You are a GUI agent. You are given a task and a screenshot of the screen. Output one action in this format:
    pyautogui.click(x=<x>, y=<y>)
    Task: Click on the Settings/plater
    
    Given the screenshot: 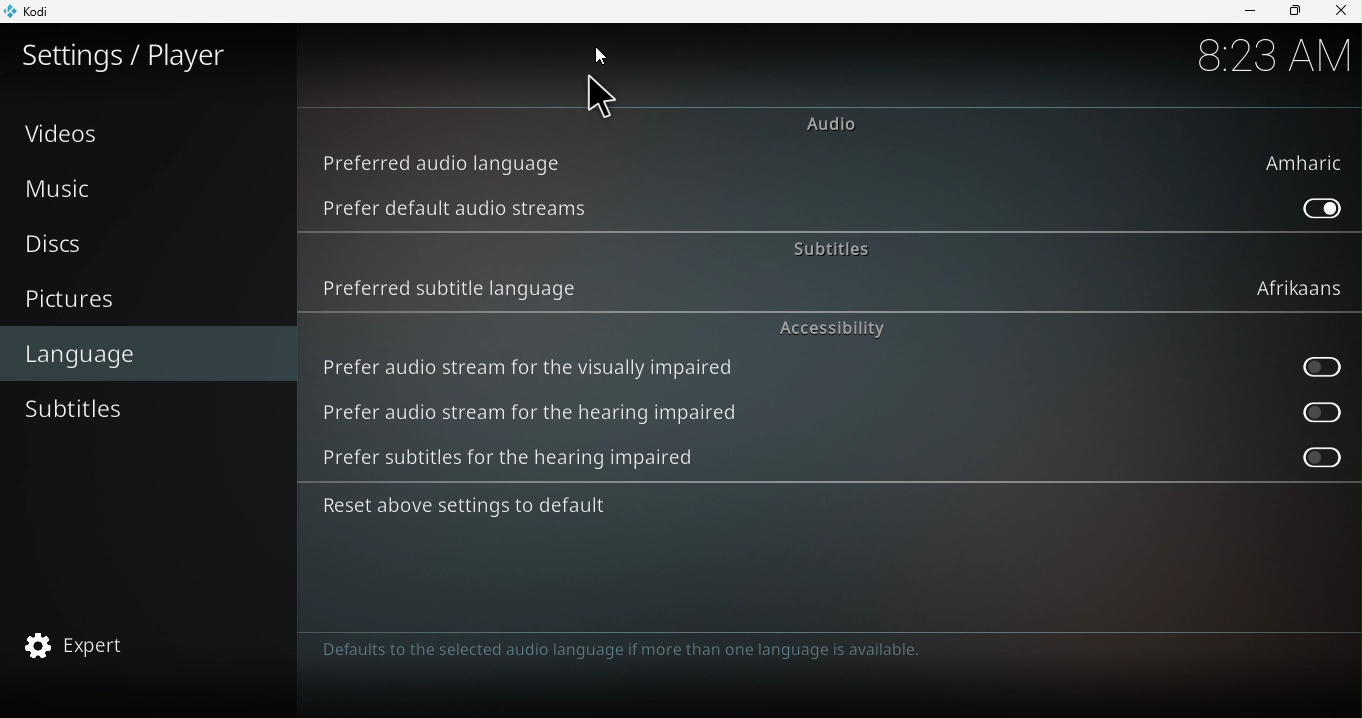 What is the action you would take?
    pyautogui.click(x=127, y=55)
    